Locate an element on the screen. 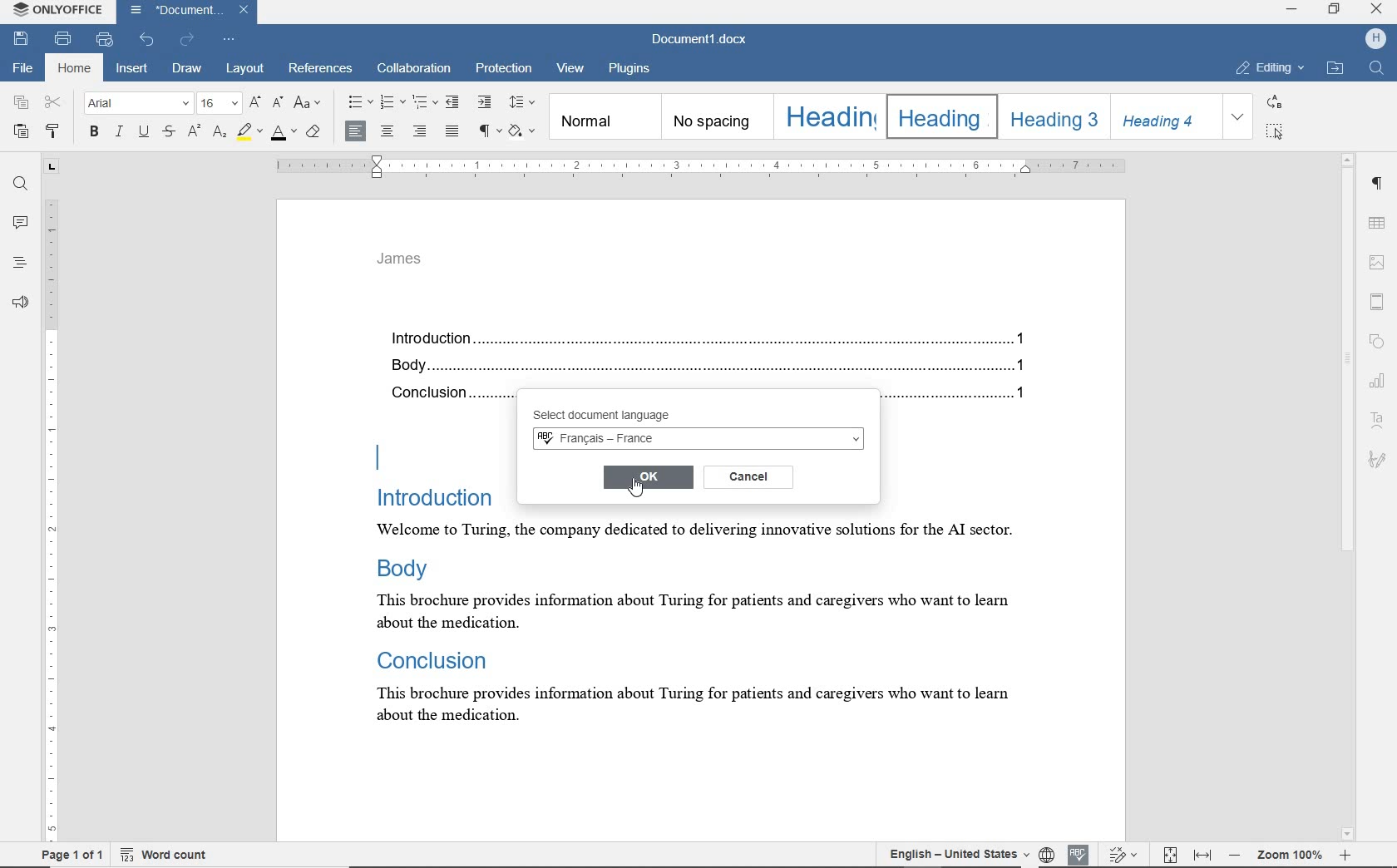  home is located at coordinates (73, 69).